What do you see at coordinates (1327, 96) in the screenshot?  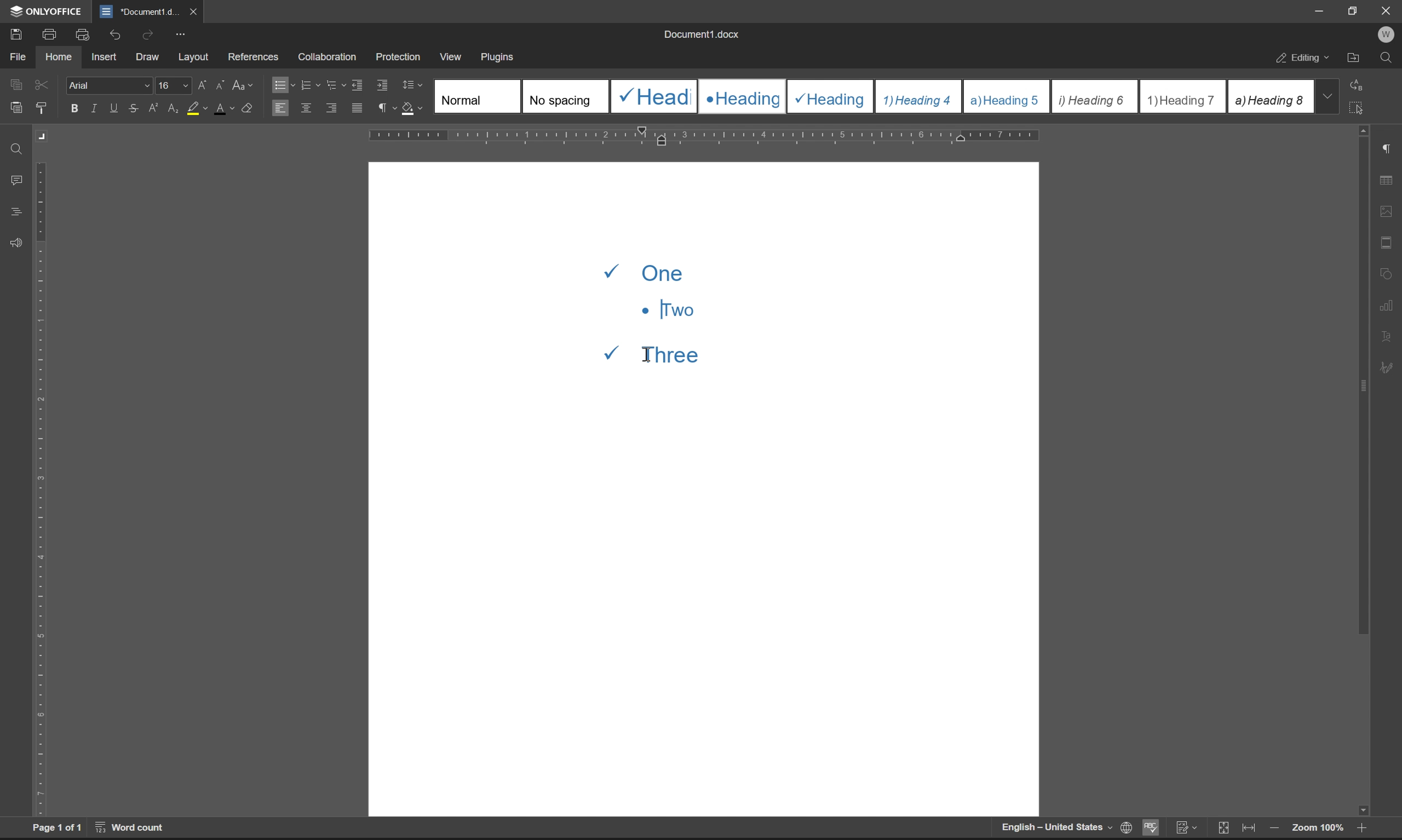 I see `drop down` at bounding box center [1327, 96].